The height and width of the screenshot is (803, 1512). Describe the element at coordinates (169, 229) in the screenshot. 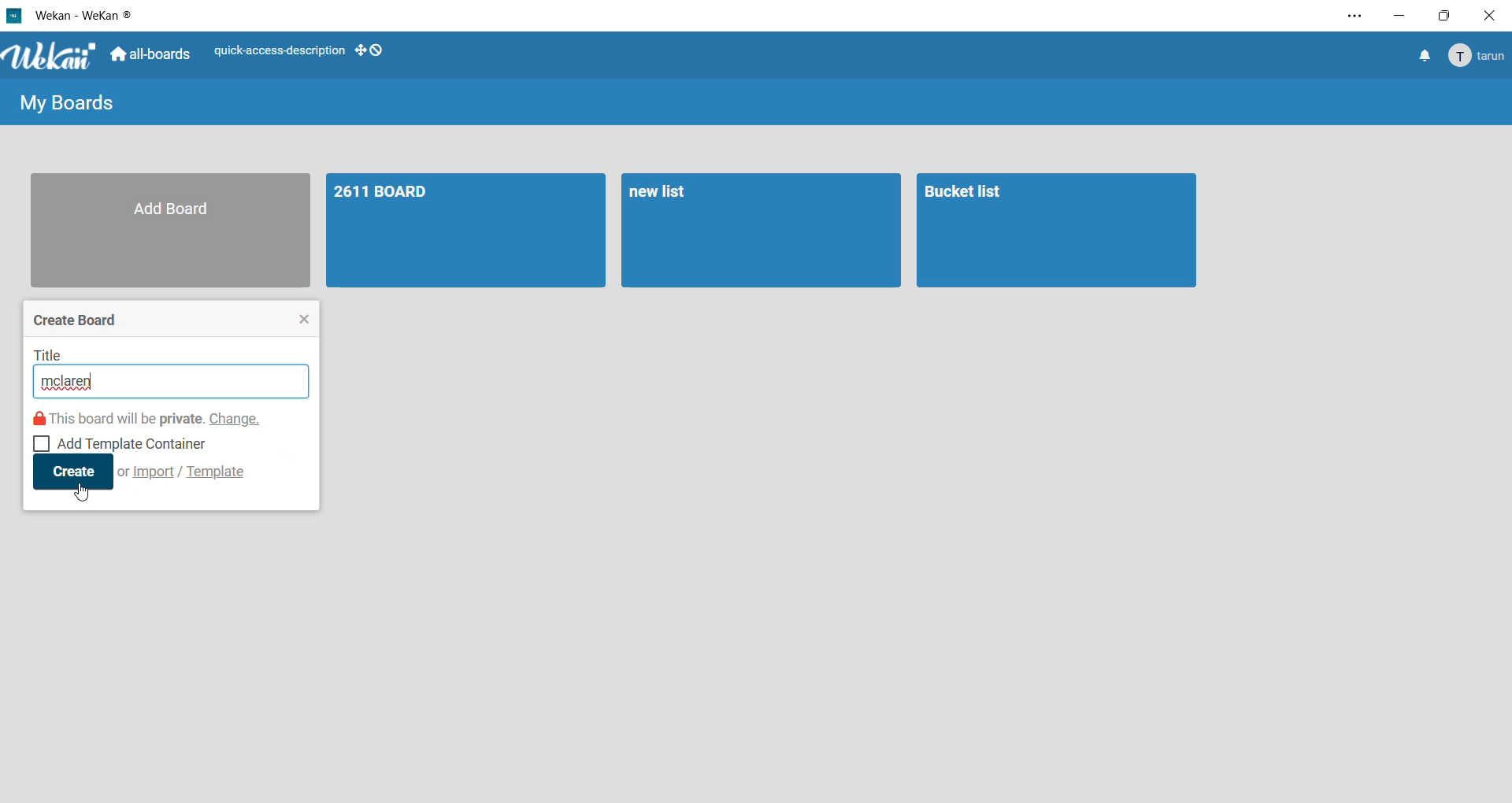

I see `add board` at that location.